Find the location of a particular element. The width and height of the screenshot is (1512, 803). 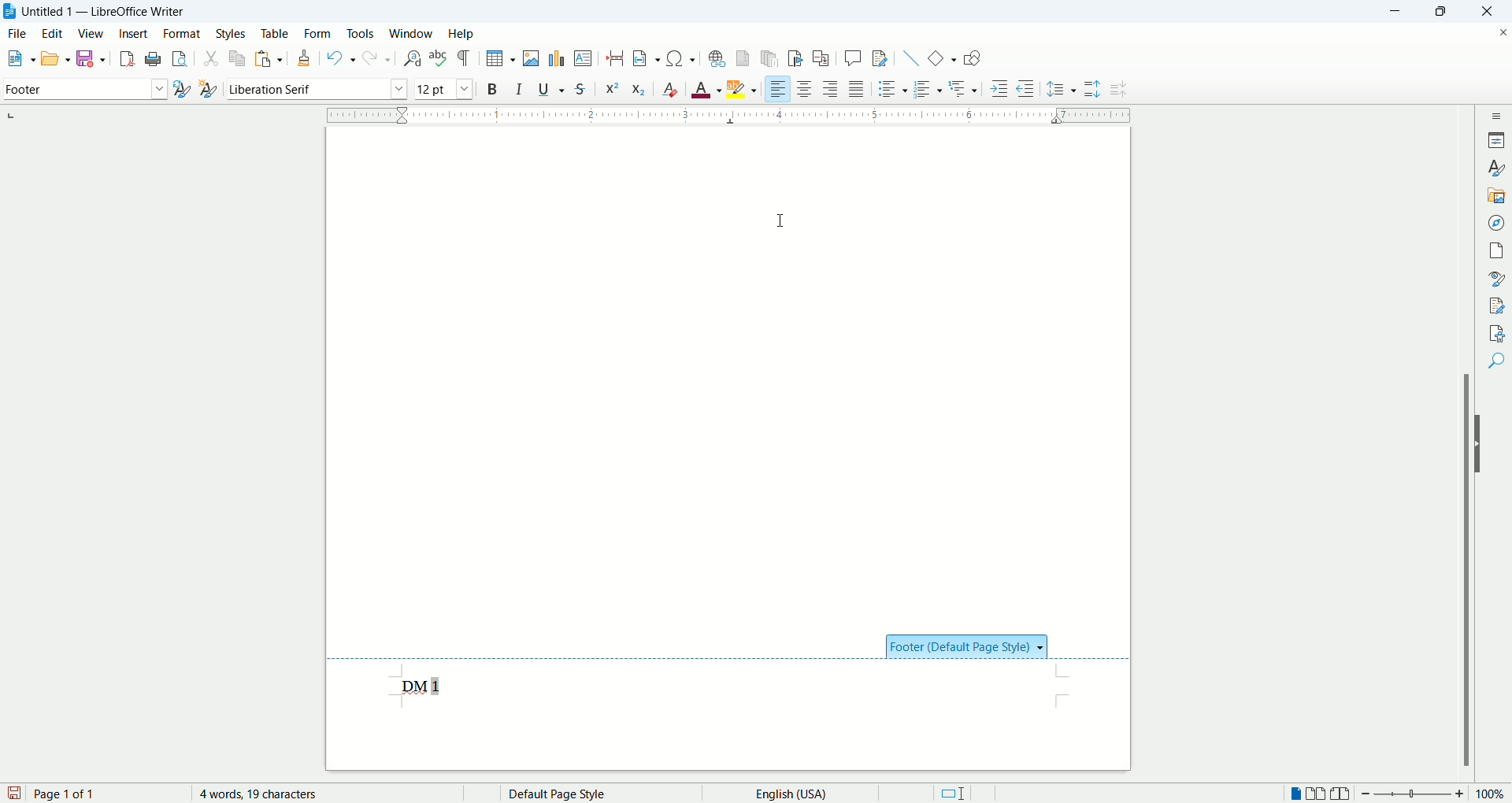

word count is located at coordinates (272, 794).